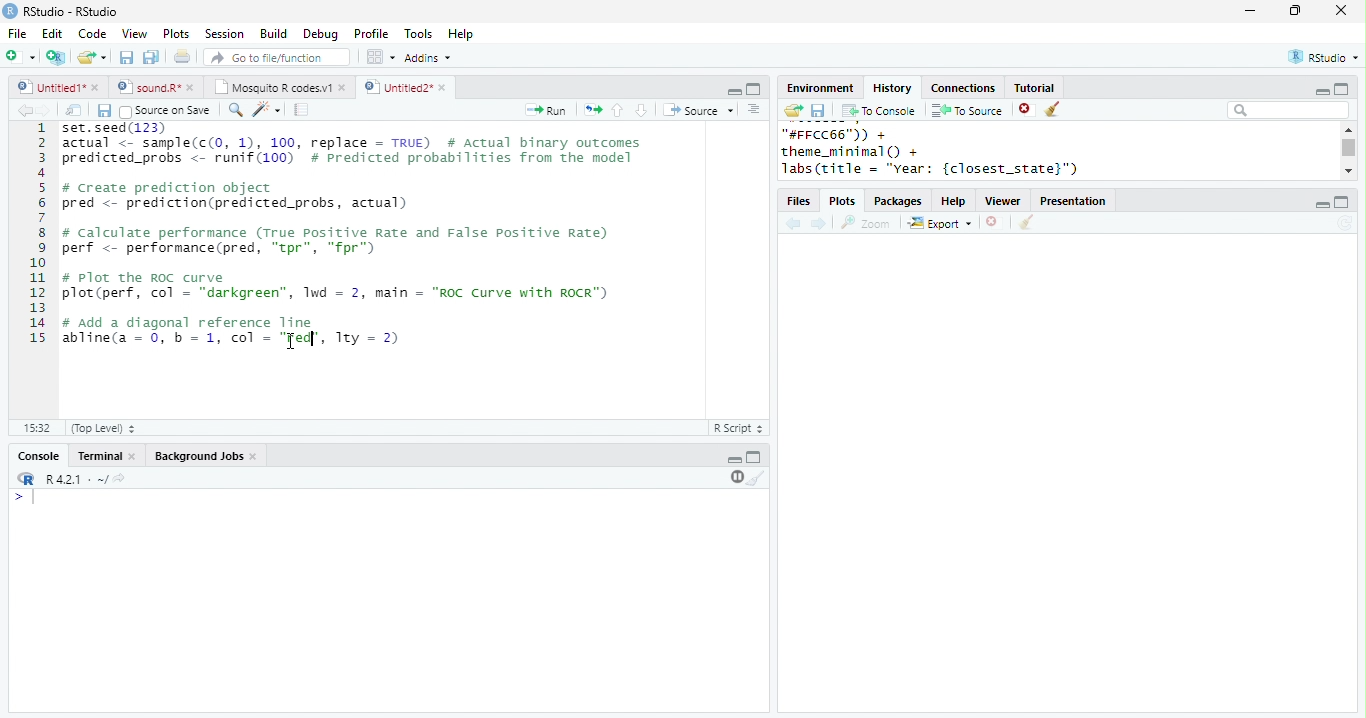 This screenshot has width=1366, height=718. I want to click on R Script, so click(739, 427).